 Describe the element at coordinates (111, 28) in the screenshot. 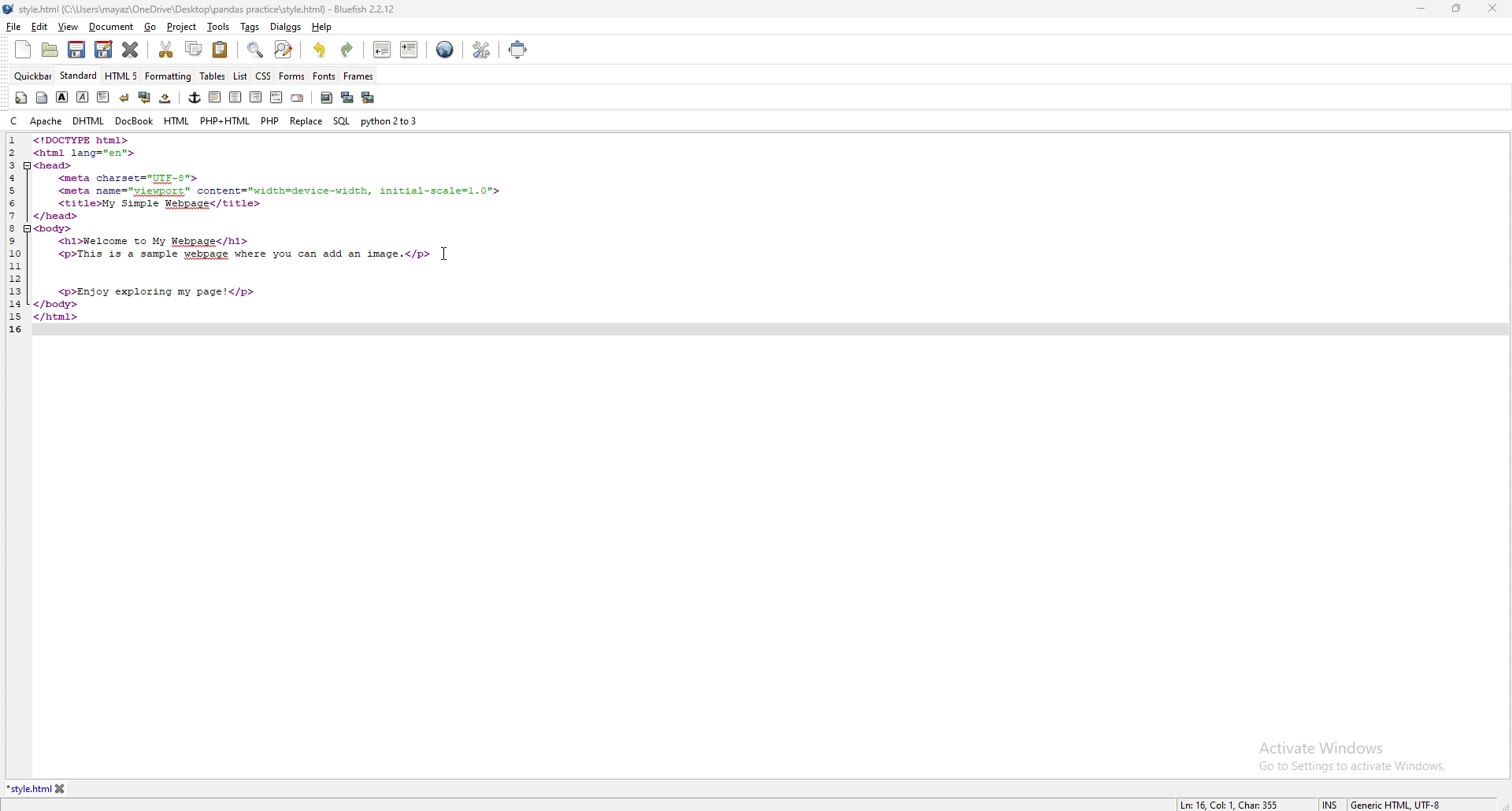

I see `document` at that location.